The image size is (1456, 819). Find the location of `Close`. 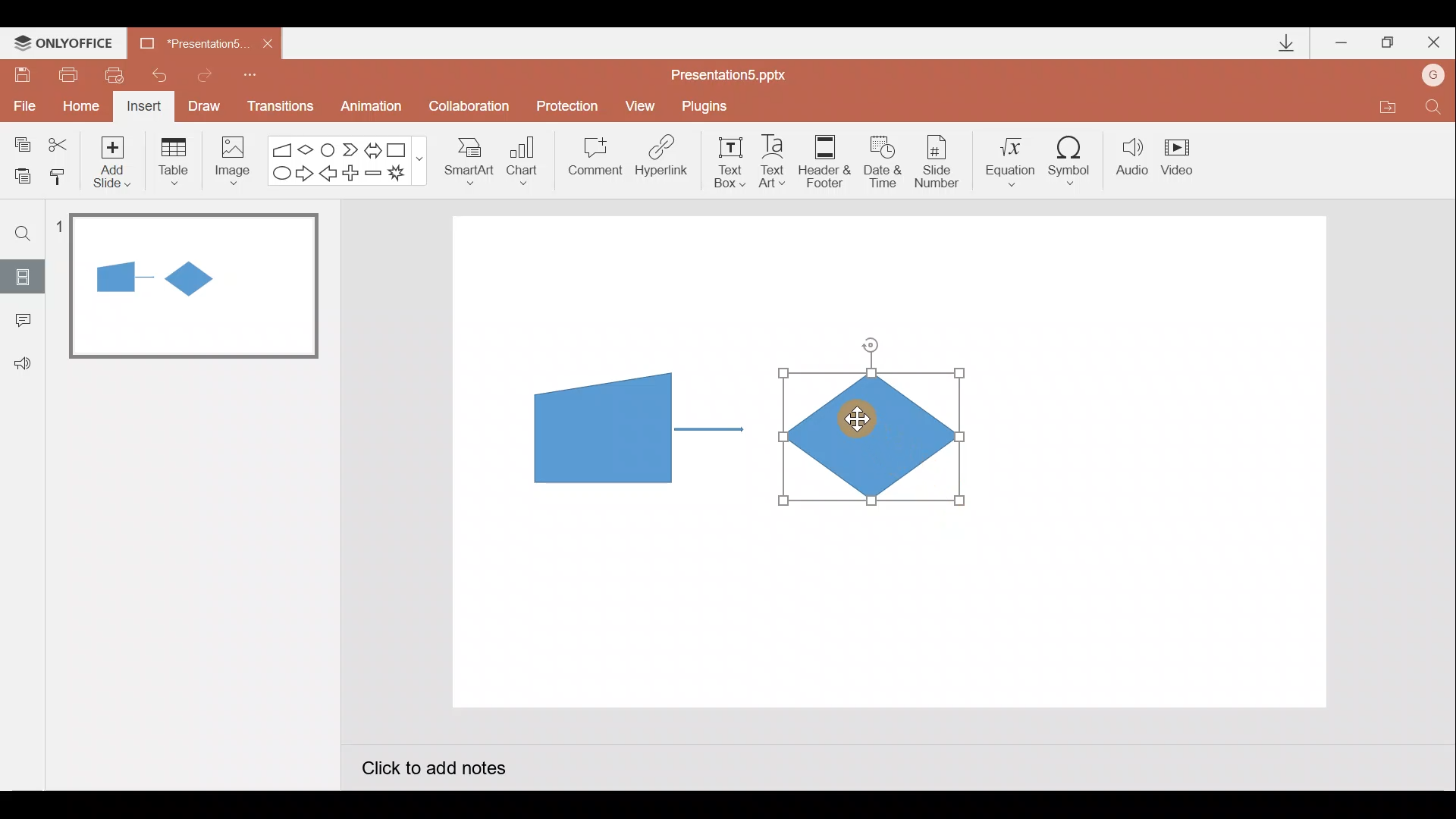

Close is located at coordinates (1434, 45).